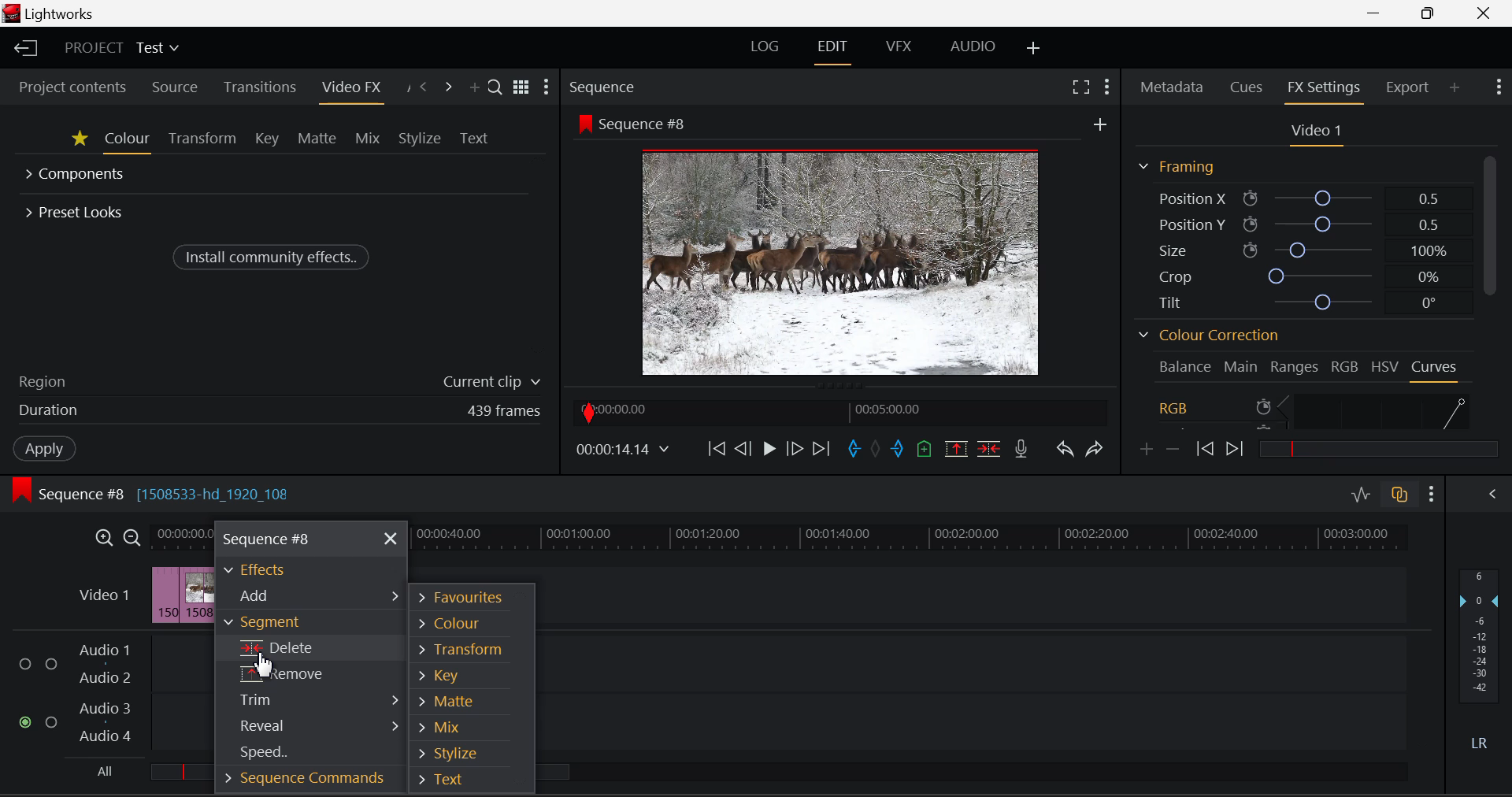  Describe the element at coordinates (457, 701) in the screenshot. I see `Matte` at that location.